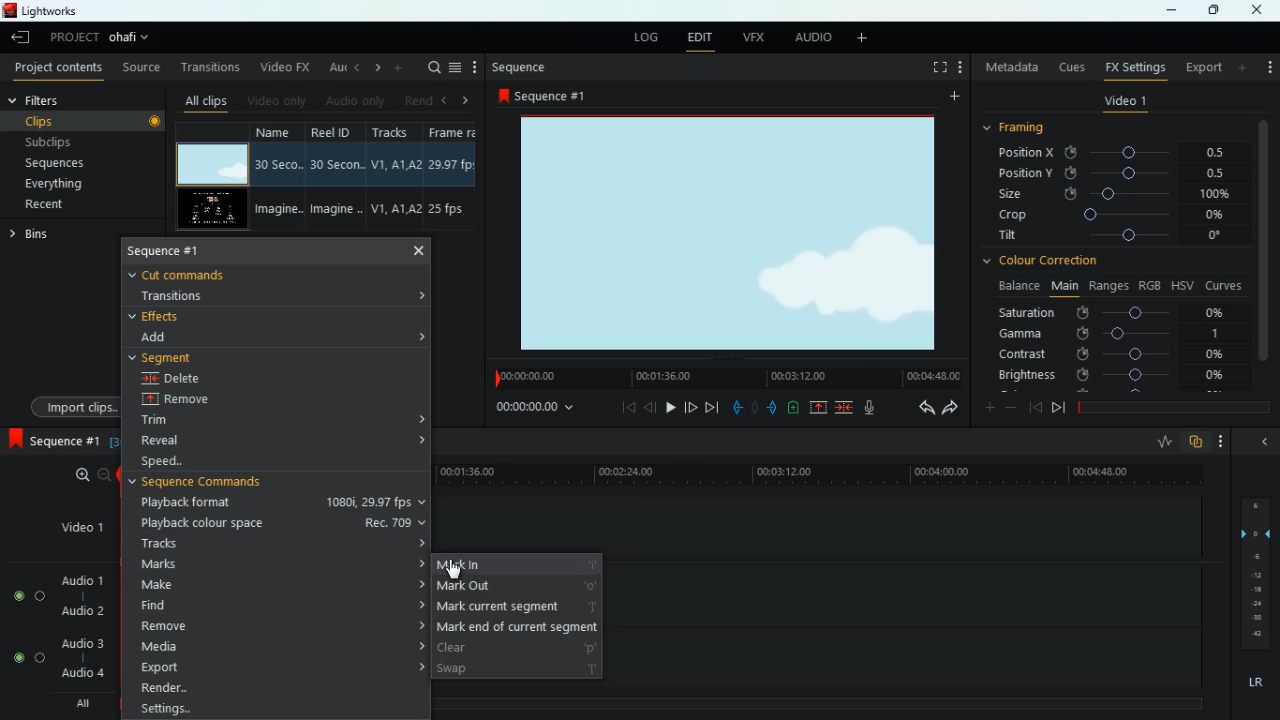  What do you see at coordinates (66, 99) in the screenshot?
I see `filters` at bounding box center [66, 99].